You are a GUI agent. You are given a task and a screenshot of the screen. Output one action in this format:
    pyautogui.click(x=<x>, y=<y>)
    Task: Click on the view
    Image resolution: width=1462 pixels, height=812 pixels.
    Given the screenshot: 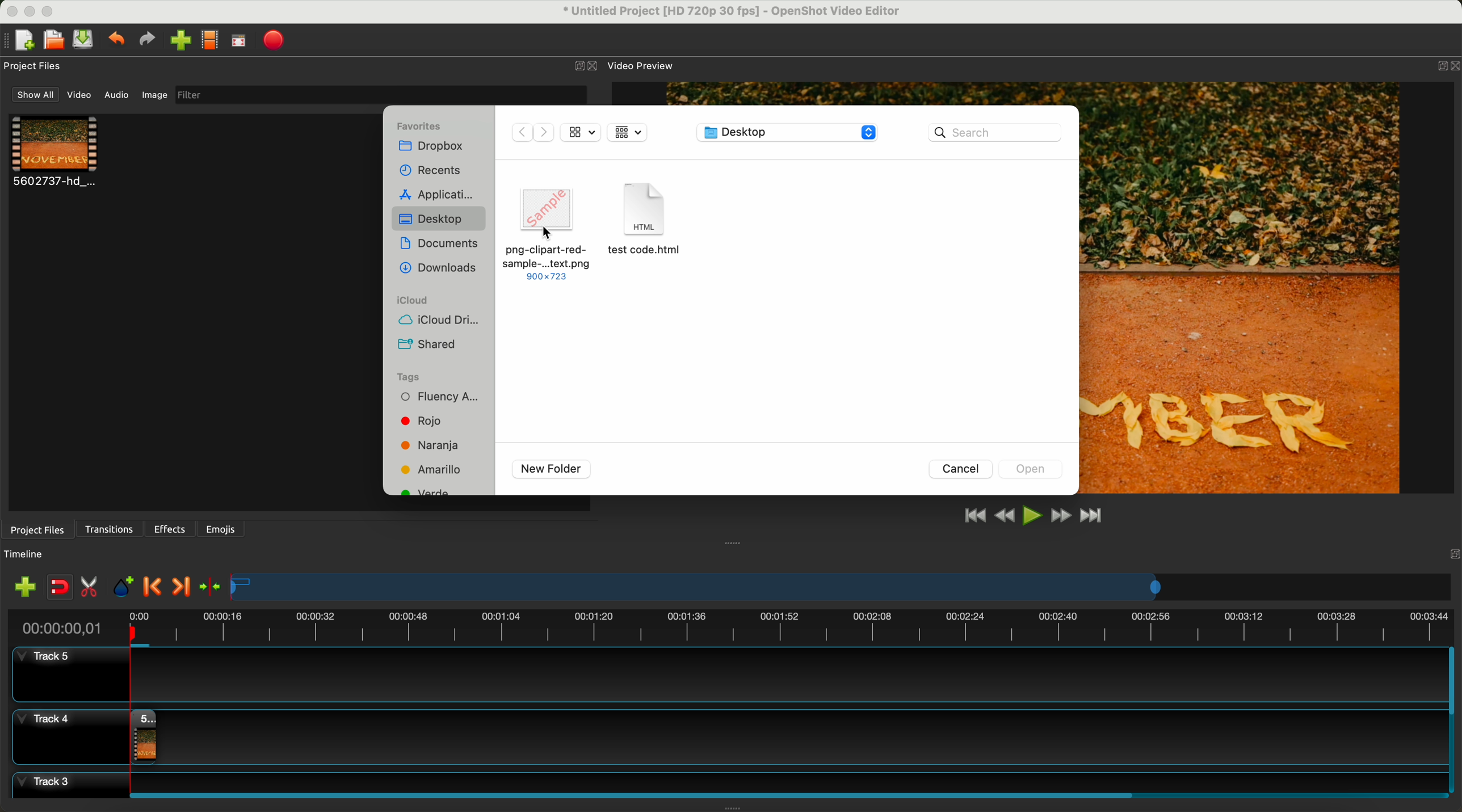 What is the action you would take?
    pyautogui.click(x=580, y=131)
    